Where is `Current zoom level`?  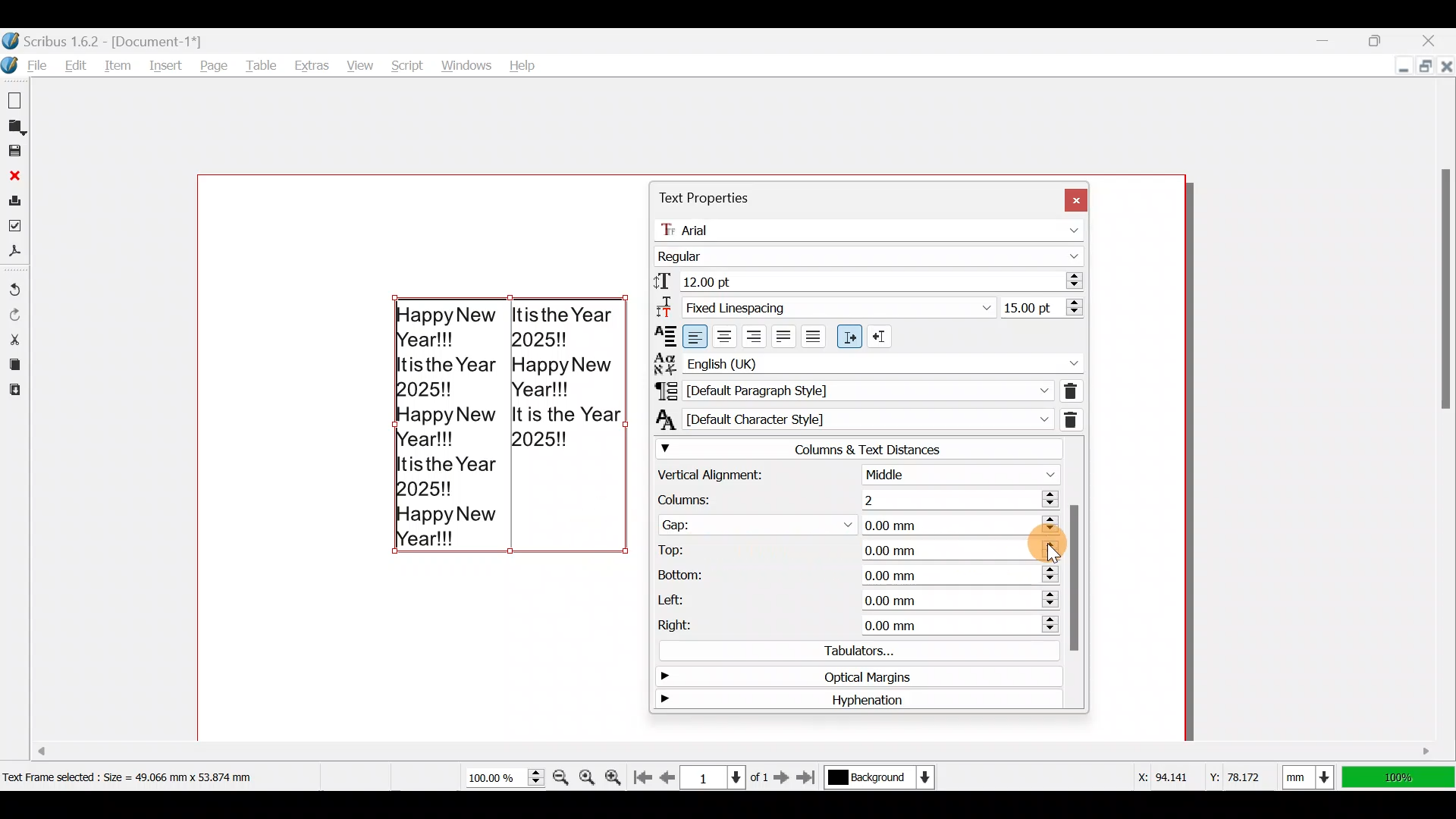 Current zoom level is located at coordinates (504, 778).